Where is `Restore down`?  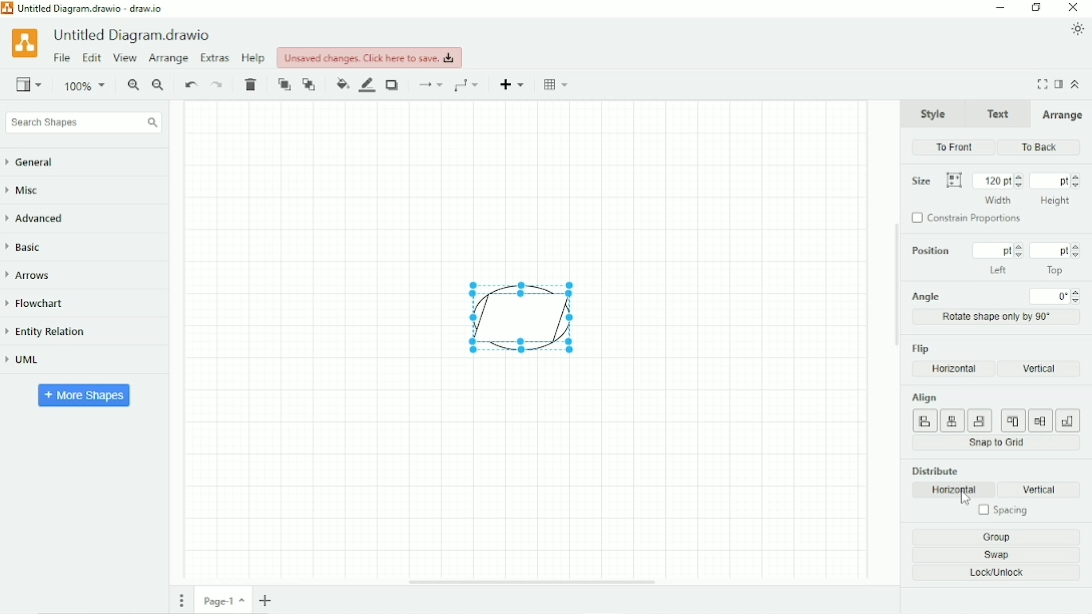 Restore down is located at coordinates (1036, 8).